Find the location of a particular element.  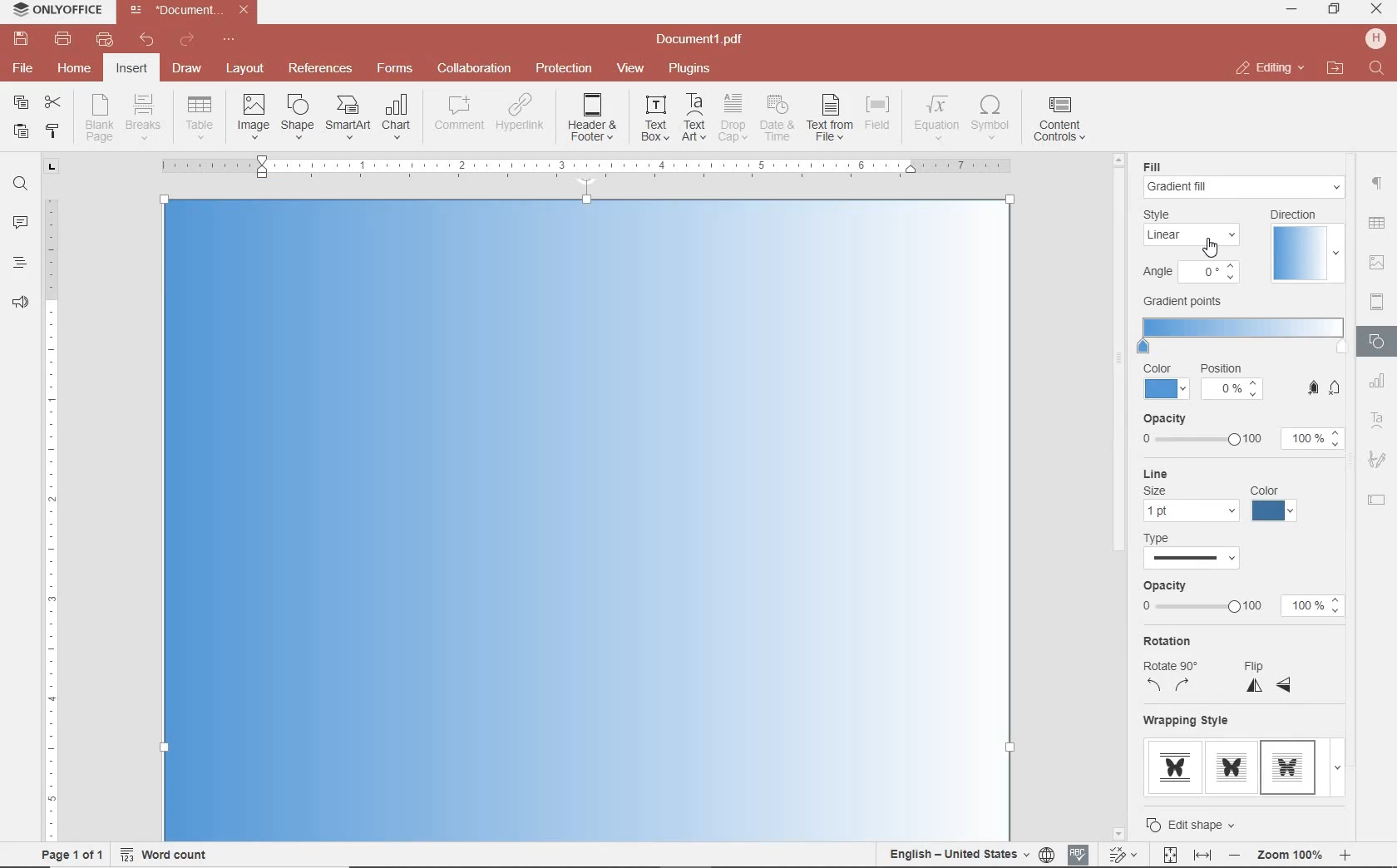

quick print is located at coordinates (103, 39).